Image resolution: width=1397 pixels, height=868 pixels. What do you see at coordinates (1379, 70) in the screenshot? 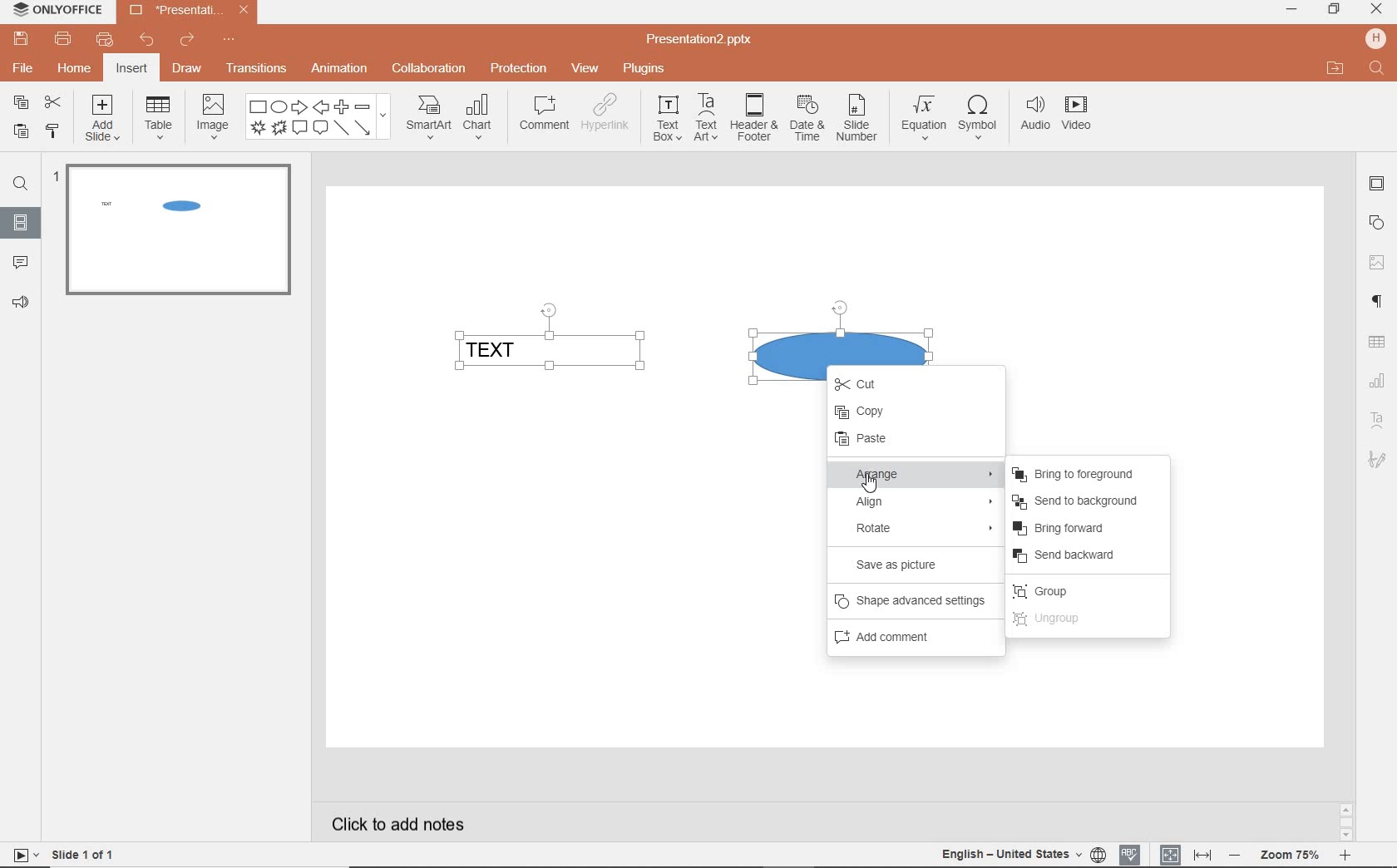
I see `FIND` at bounding box center [1379, 70].